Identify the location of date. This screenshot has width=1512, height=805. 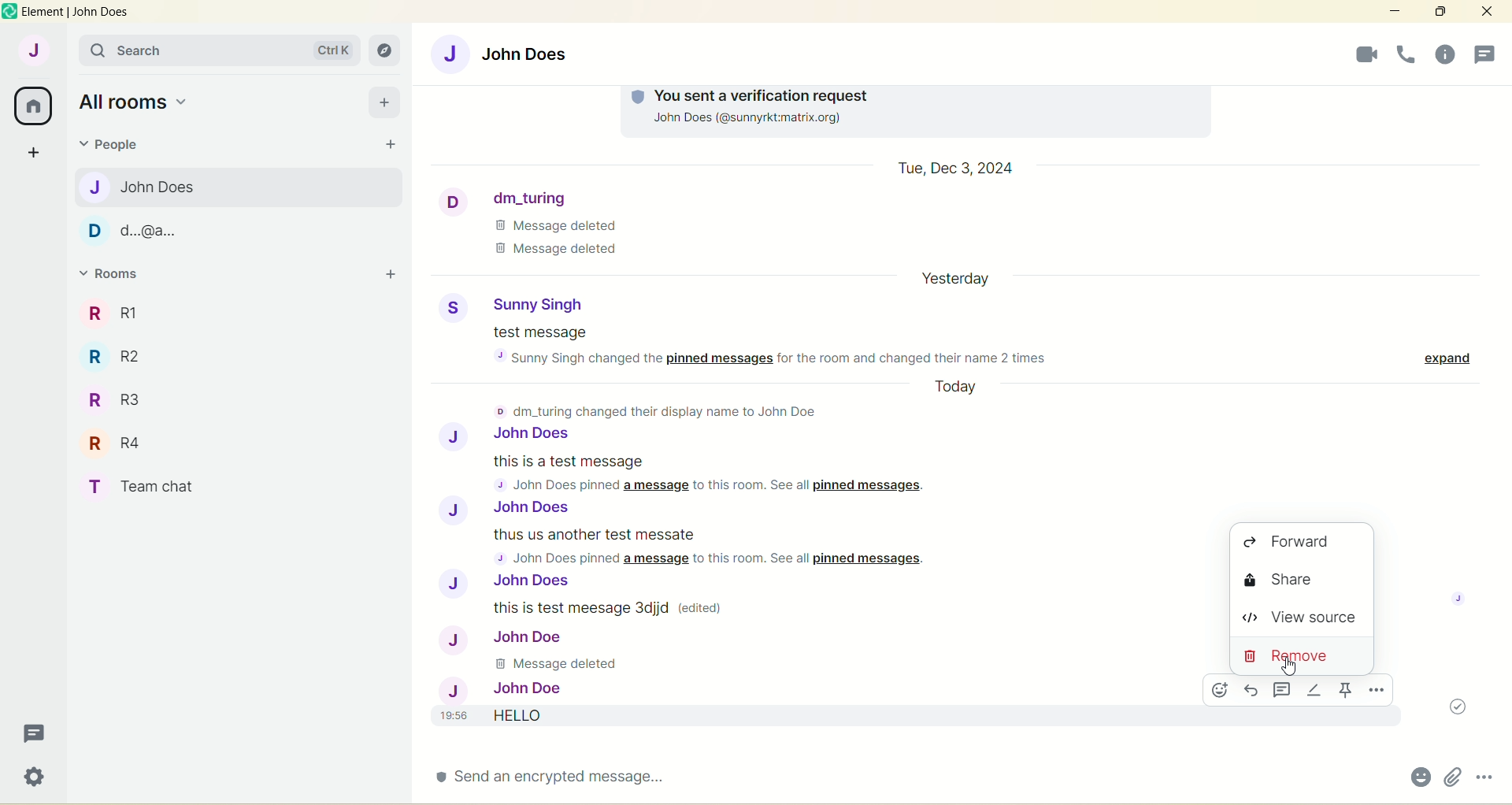
(962, 283).